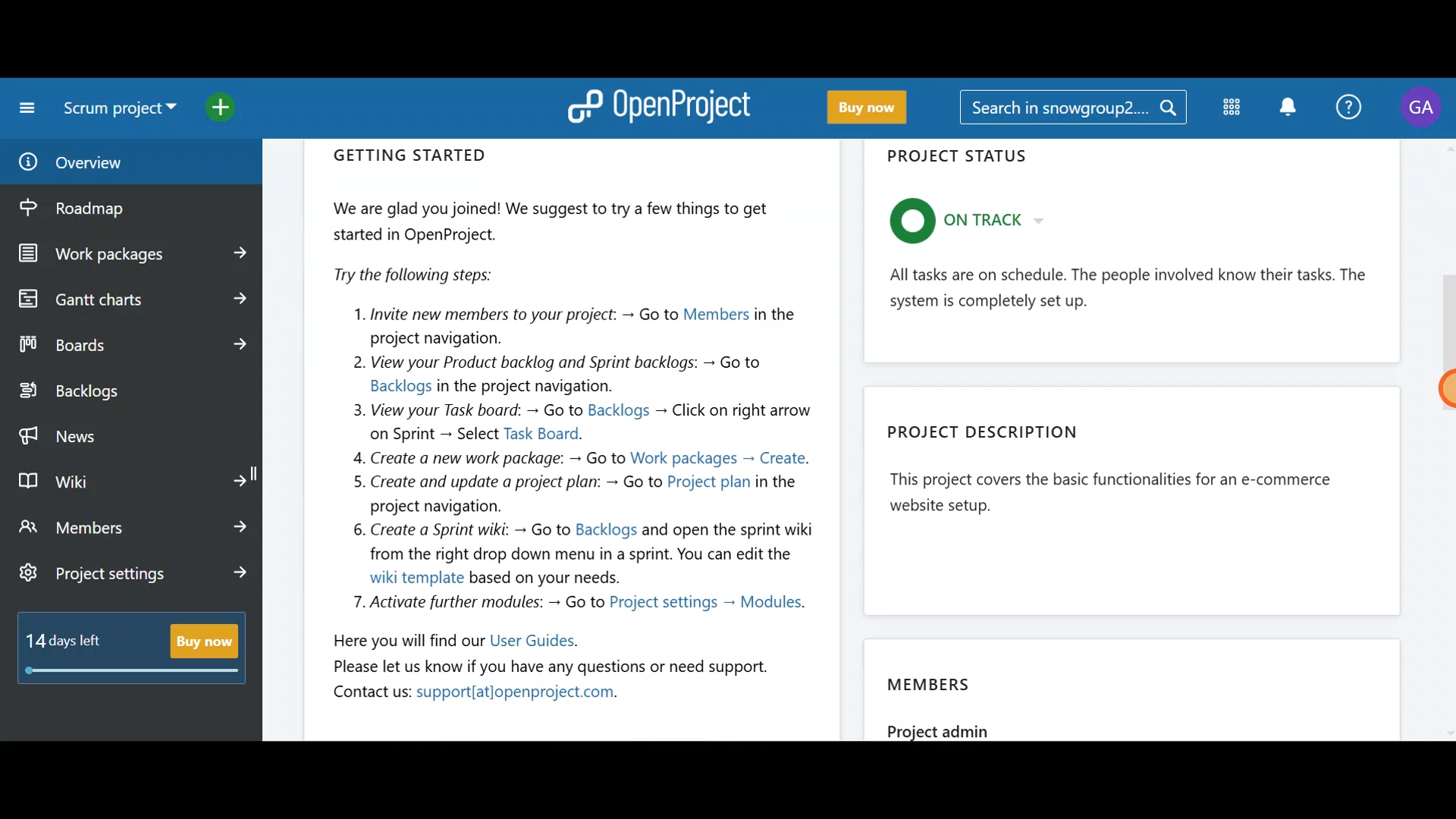  What do you see at coordinates (1072, 110) in the screenshot?
I see `Search bar` at bounding box center [1072, 110].